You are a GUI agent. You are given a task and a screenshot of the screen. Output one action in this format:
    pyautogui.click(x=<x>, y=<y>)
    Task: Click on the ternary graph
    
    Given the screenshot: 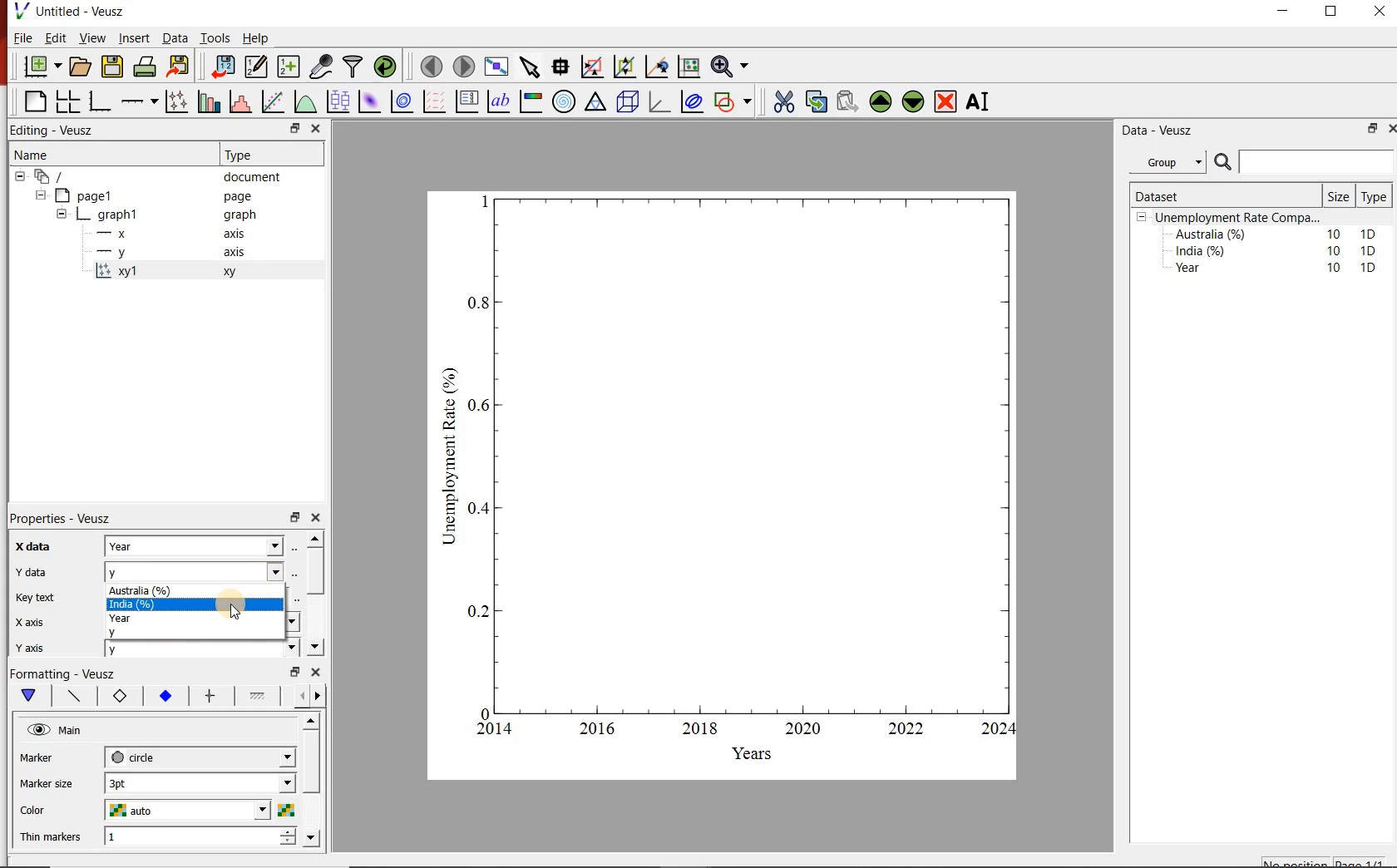 What is the action you would take?
    pyautogui.click(x=595, y=101)
    